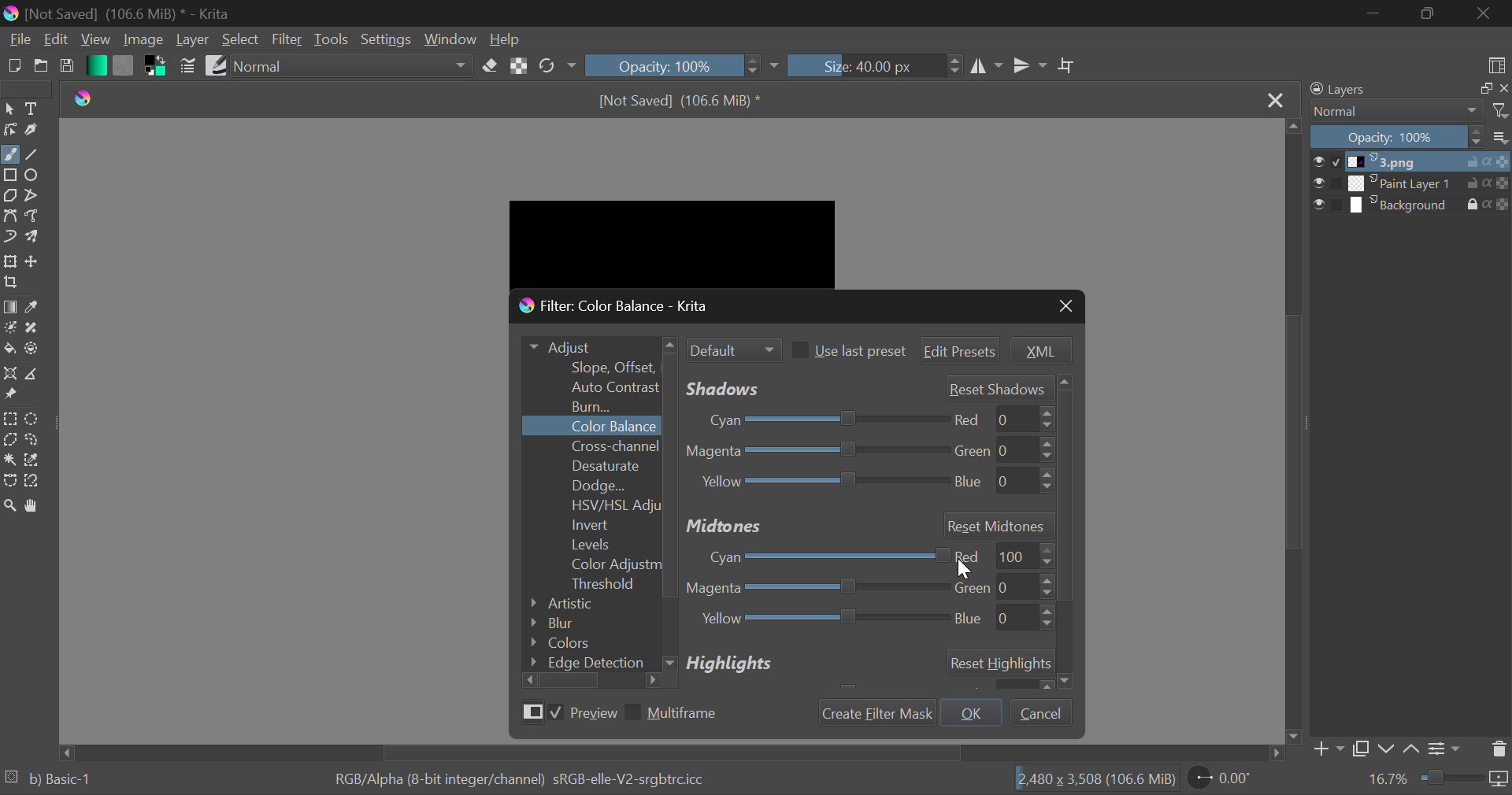 Image resolution: width=1512 pixels, height=795 pixels. I want to click on Settings, so click(387, 39).